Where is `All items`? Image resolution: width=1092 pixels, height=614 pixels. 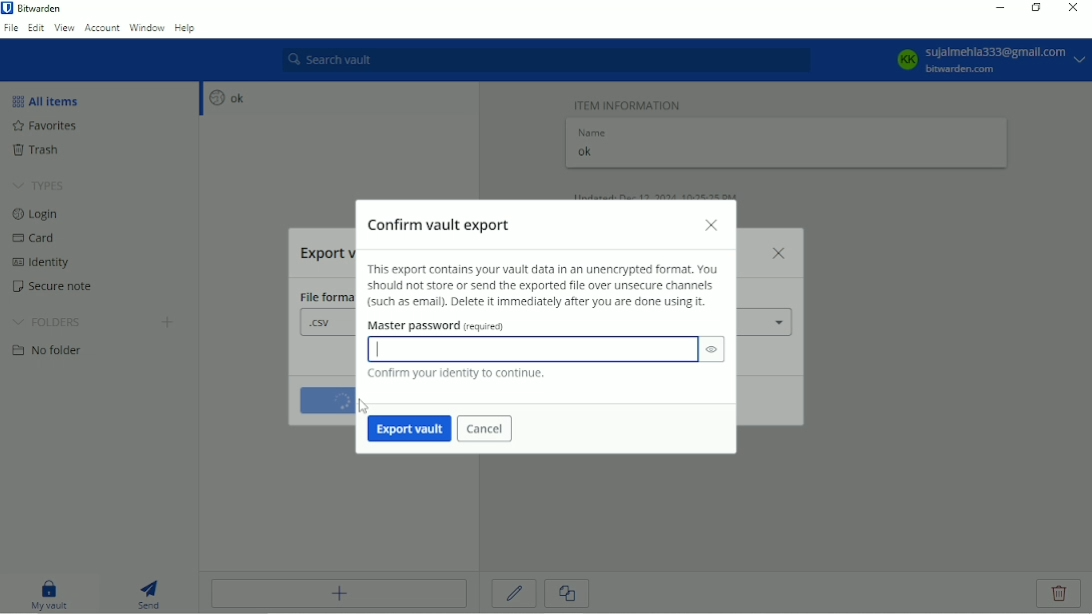
All items is located at coordinates (51, 100).